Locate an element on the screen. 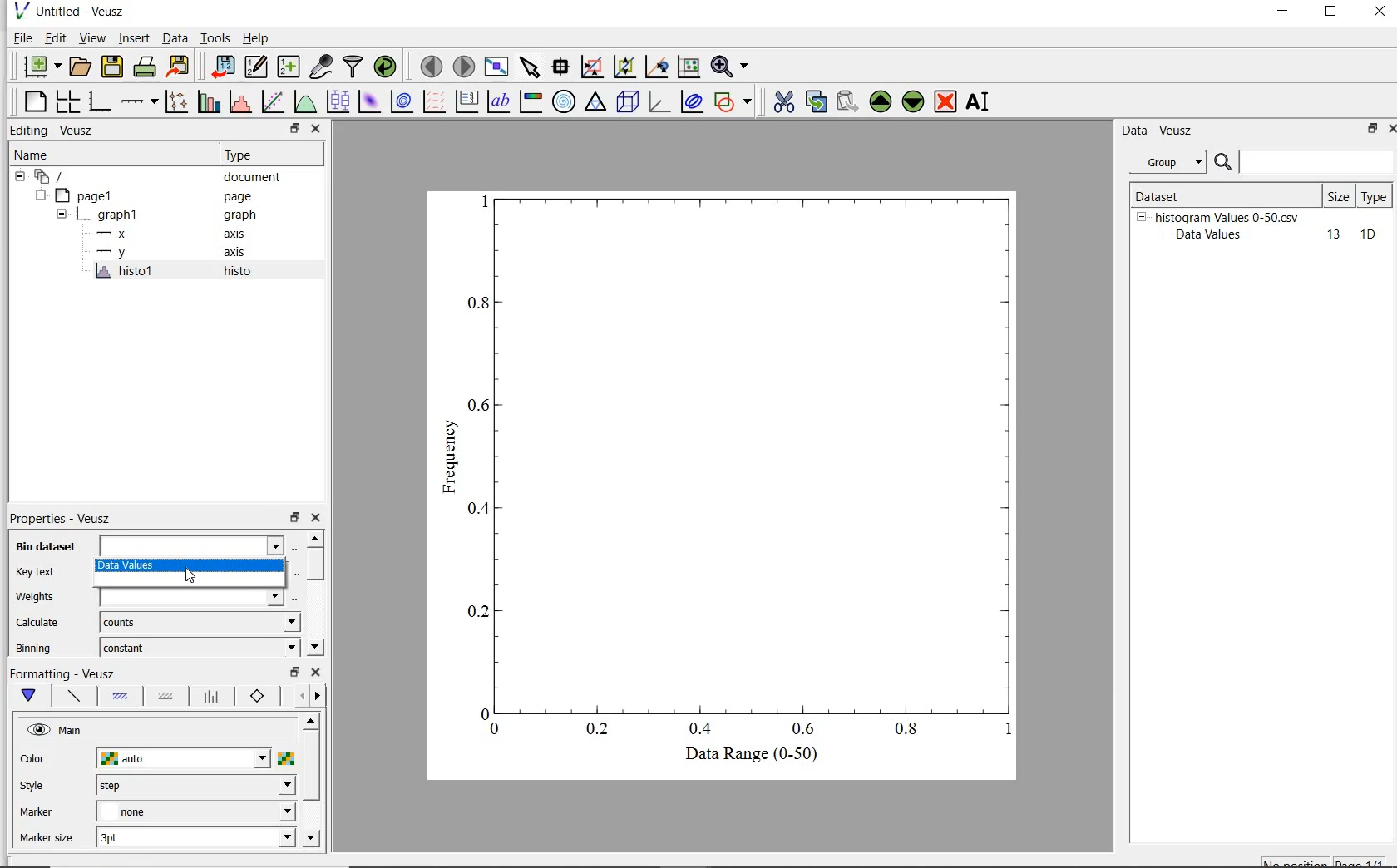 This screenshot has height=868, width=1397. histogram Values 0-50.csv is located at coordinates (1227, 216).